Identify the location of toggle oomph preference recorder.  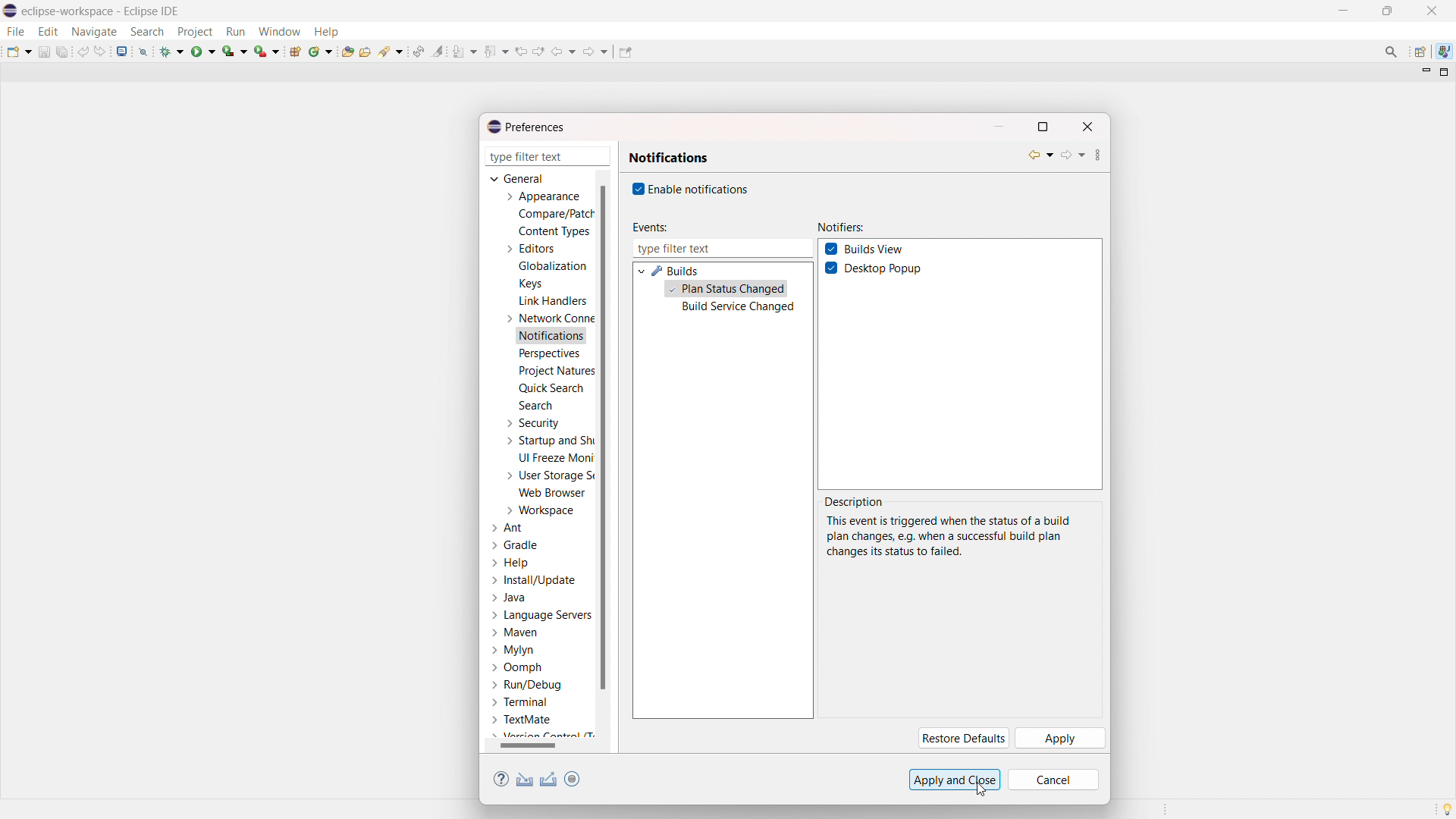
(572, 779).